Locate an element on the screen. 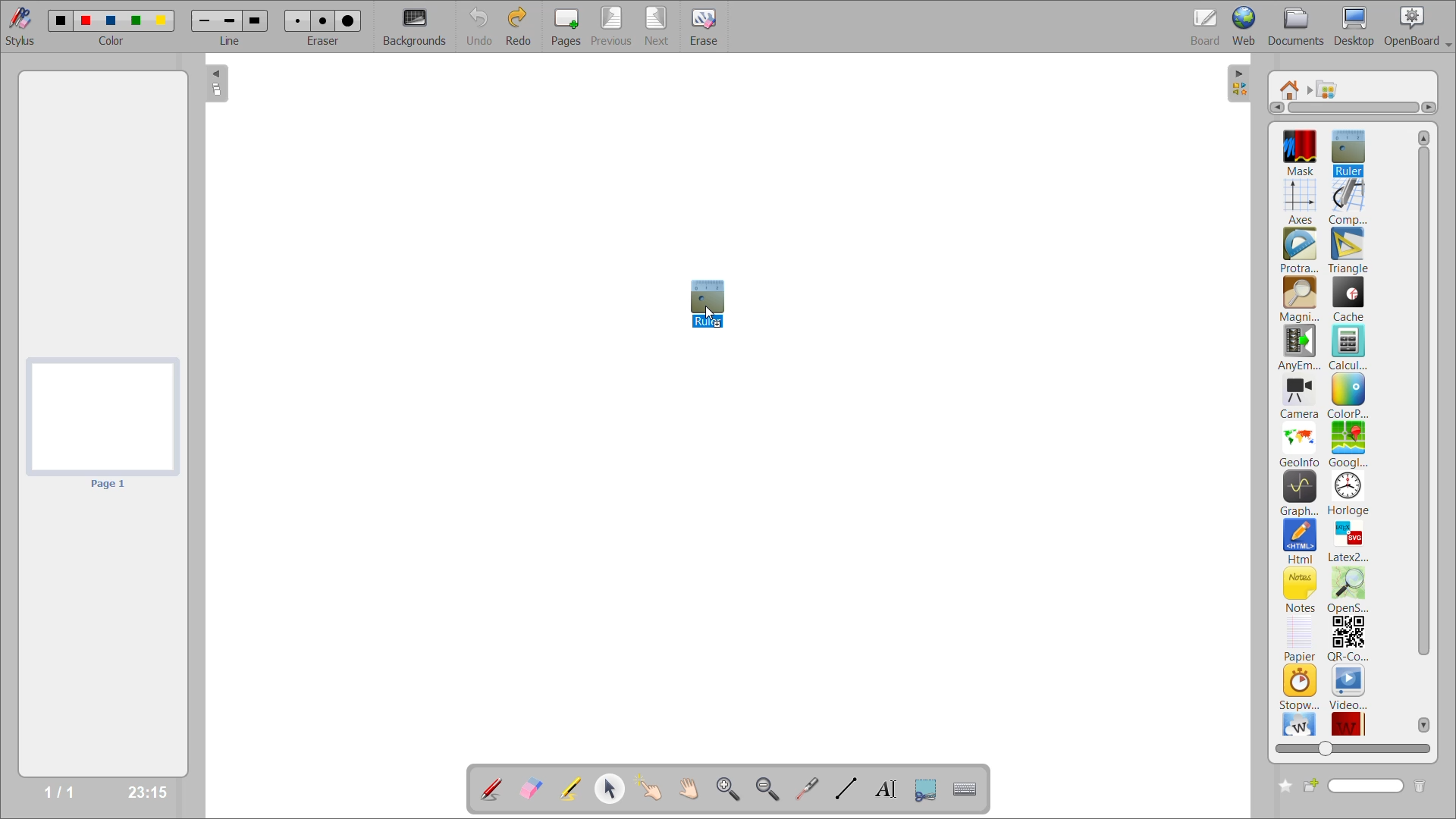  highlight is located at coordinates (576, 790).